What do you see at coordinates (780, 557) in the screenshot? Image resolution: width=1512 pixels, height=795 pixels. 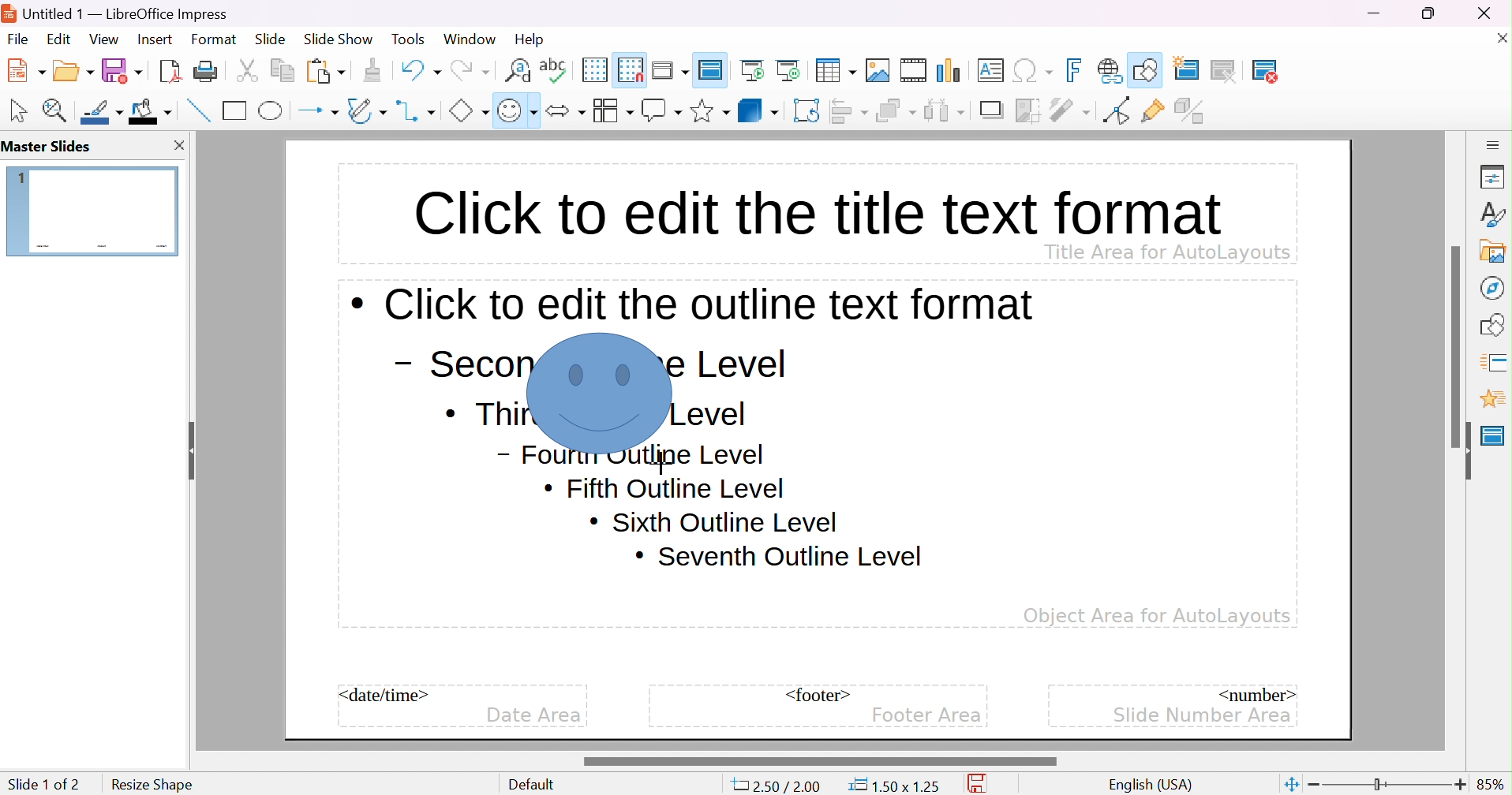 I see `seventh outline level` at bounding box center [780, 557].